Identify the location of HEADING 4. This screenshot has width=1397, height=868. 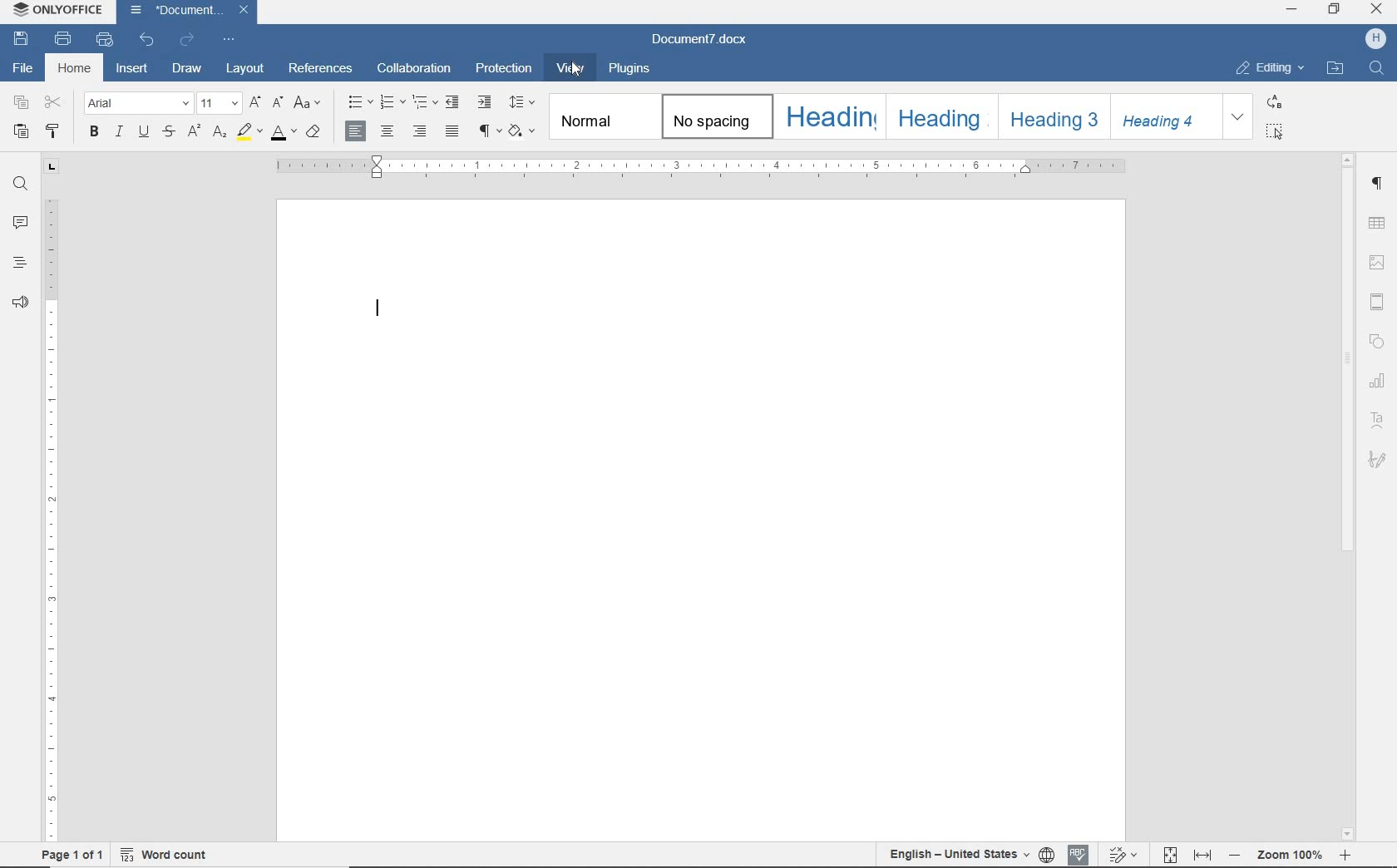
(1164, 116).